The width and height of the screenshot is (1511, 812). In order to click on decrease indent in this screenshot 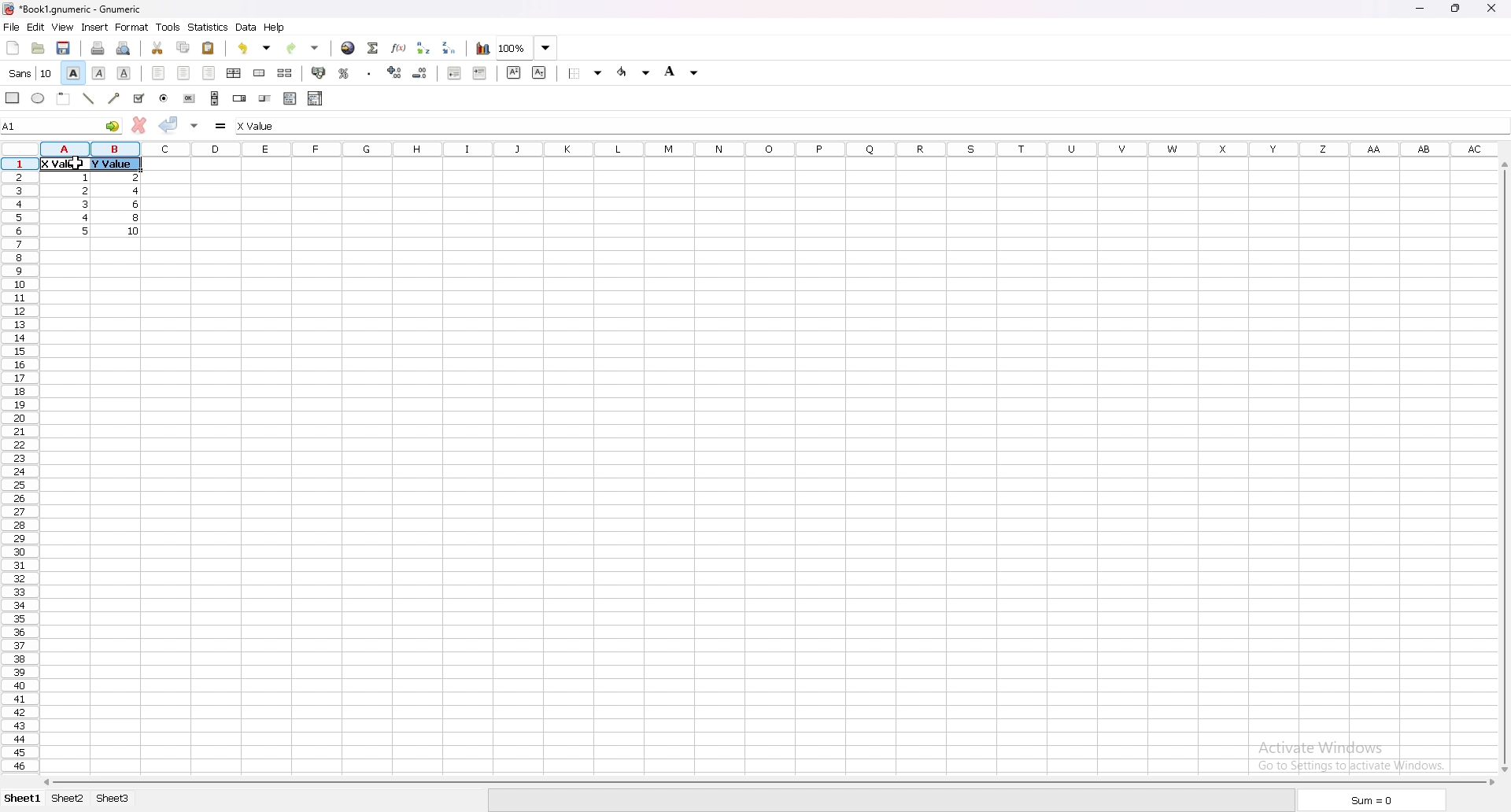, I will do `click(455, 72)`.